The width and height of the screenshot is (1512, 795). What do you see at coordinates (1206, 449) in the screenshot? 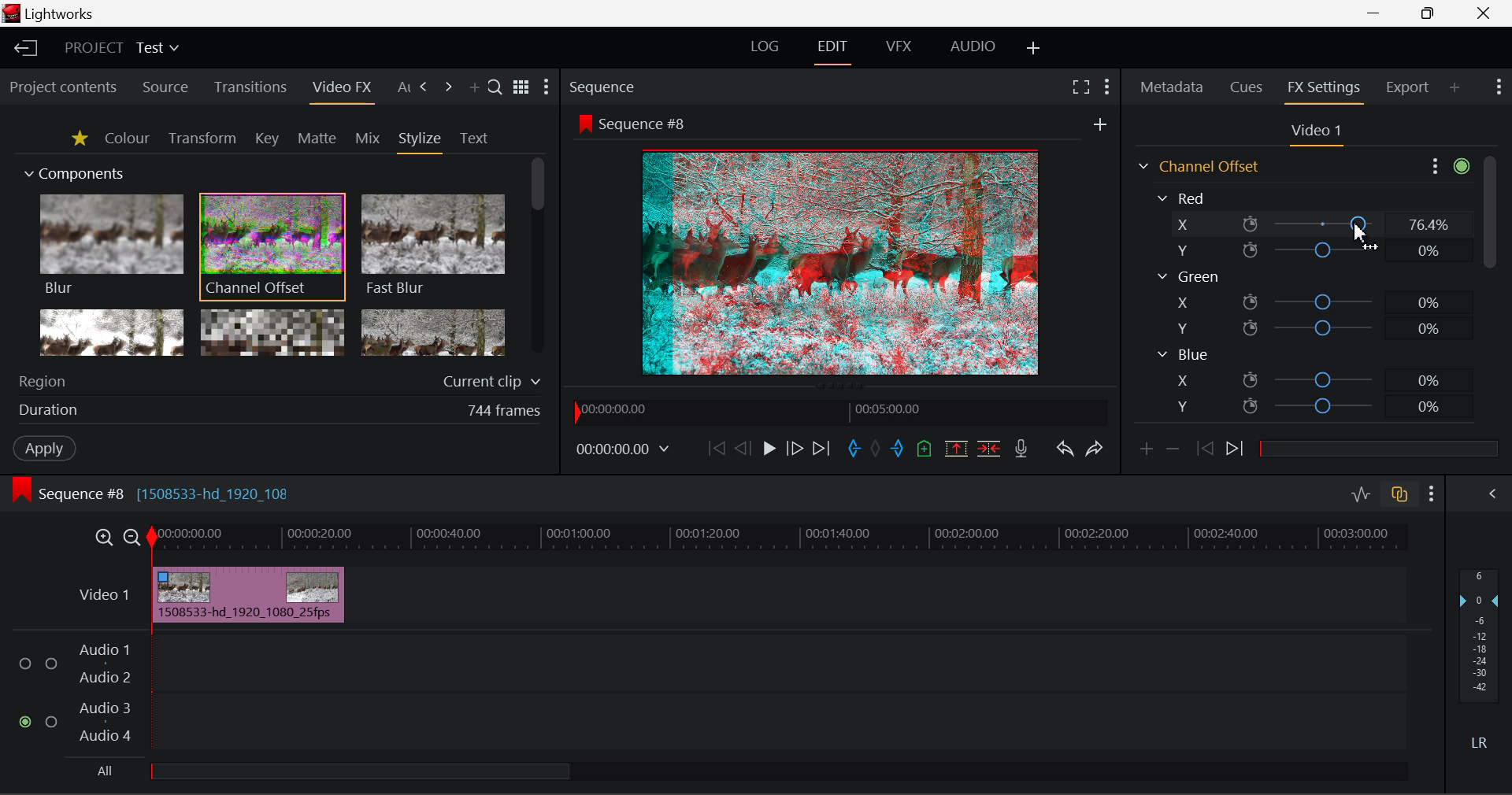
I see `Previous keyframe` at bounding box center [1206, 449].